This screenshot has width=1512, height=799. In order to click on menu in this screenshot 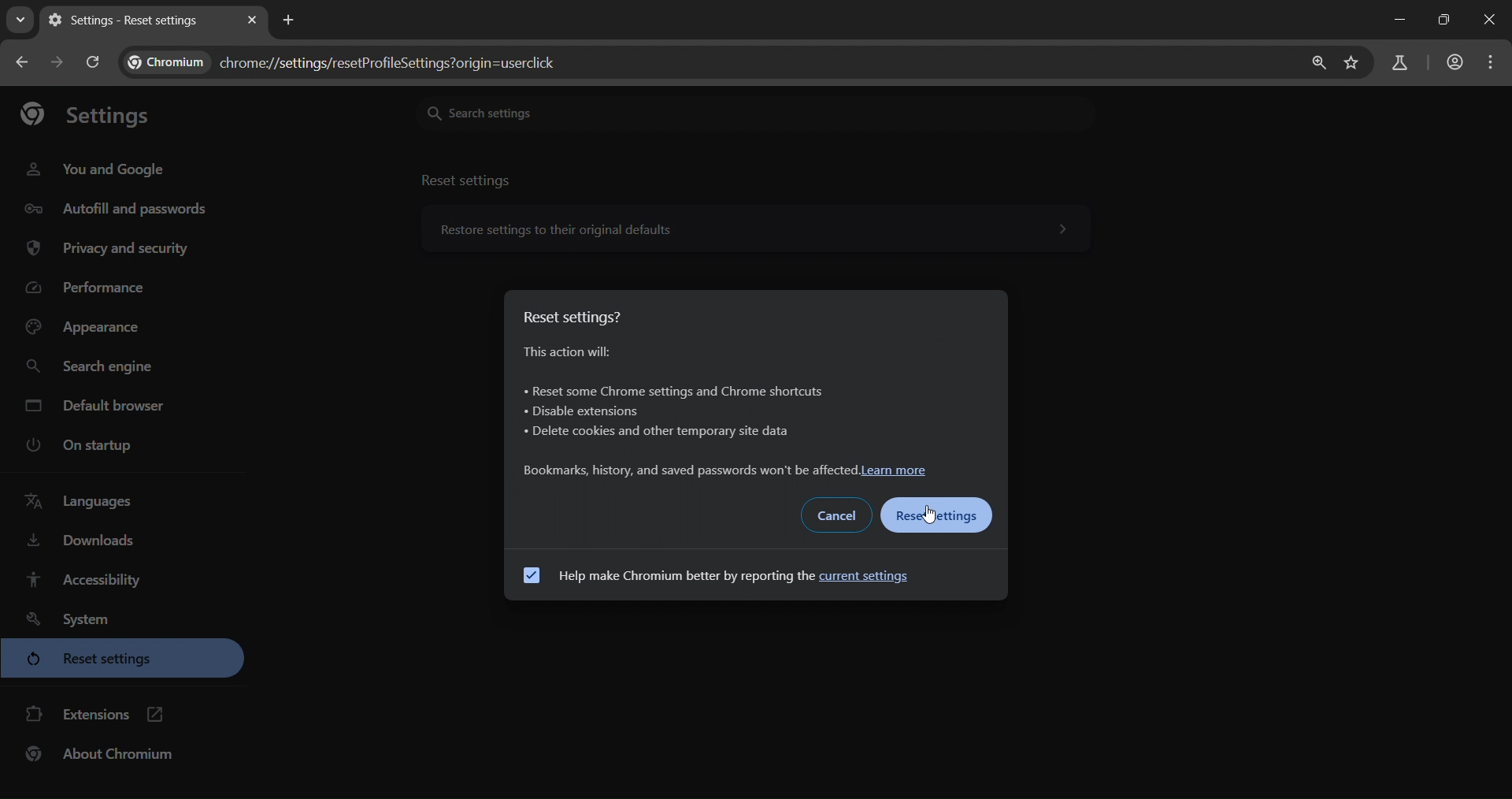, I will do `click(1494, 62)`.